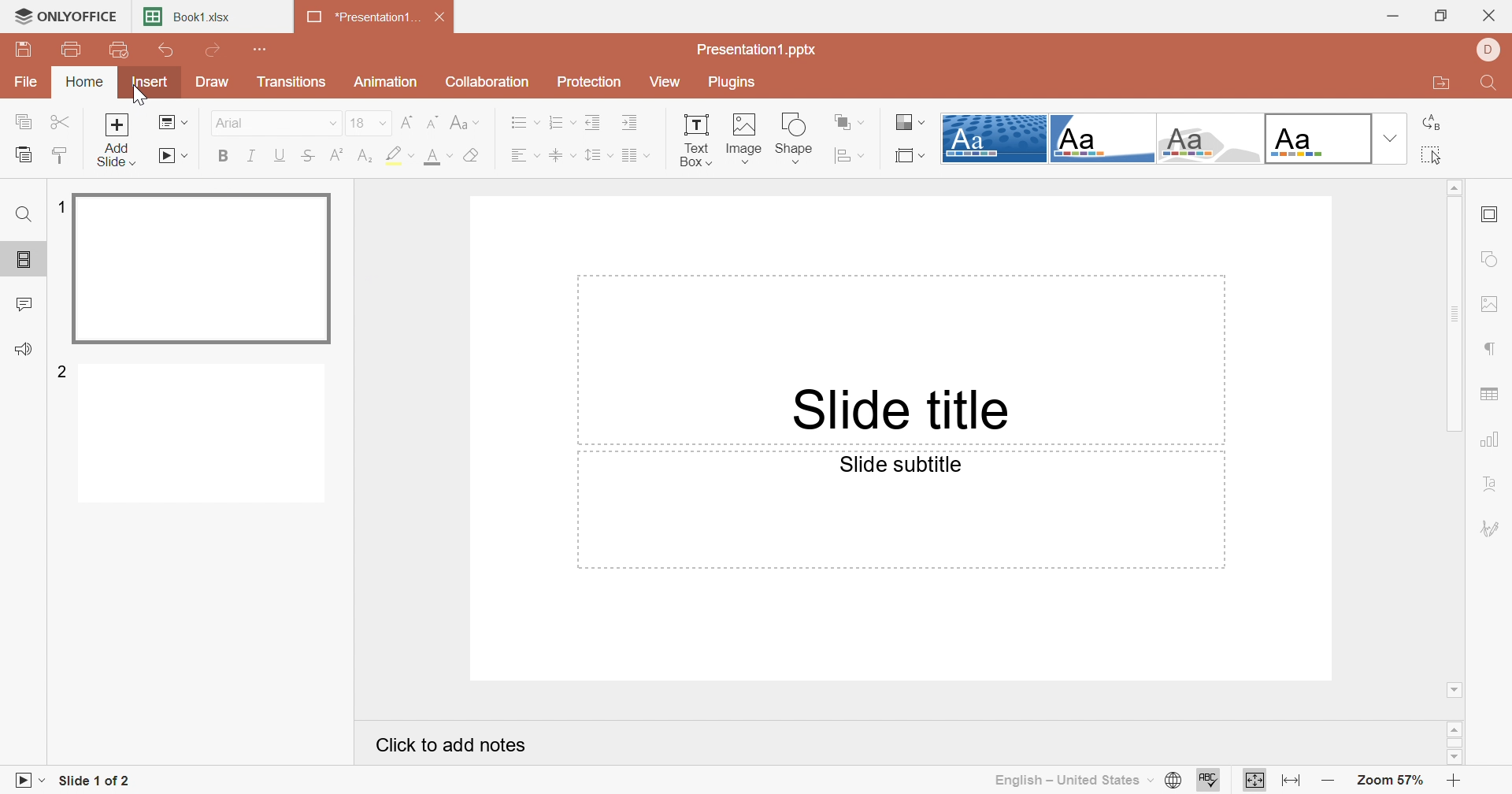  Describe the element at coordinates (292, 82) in the screenshot. I see `Transitions` at that location.